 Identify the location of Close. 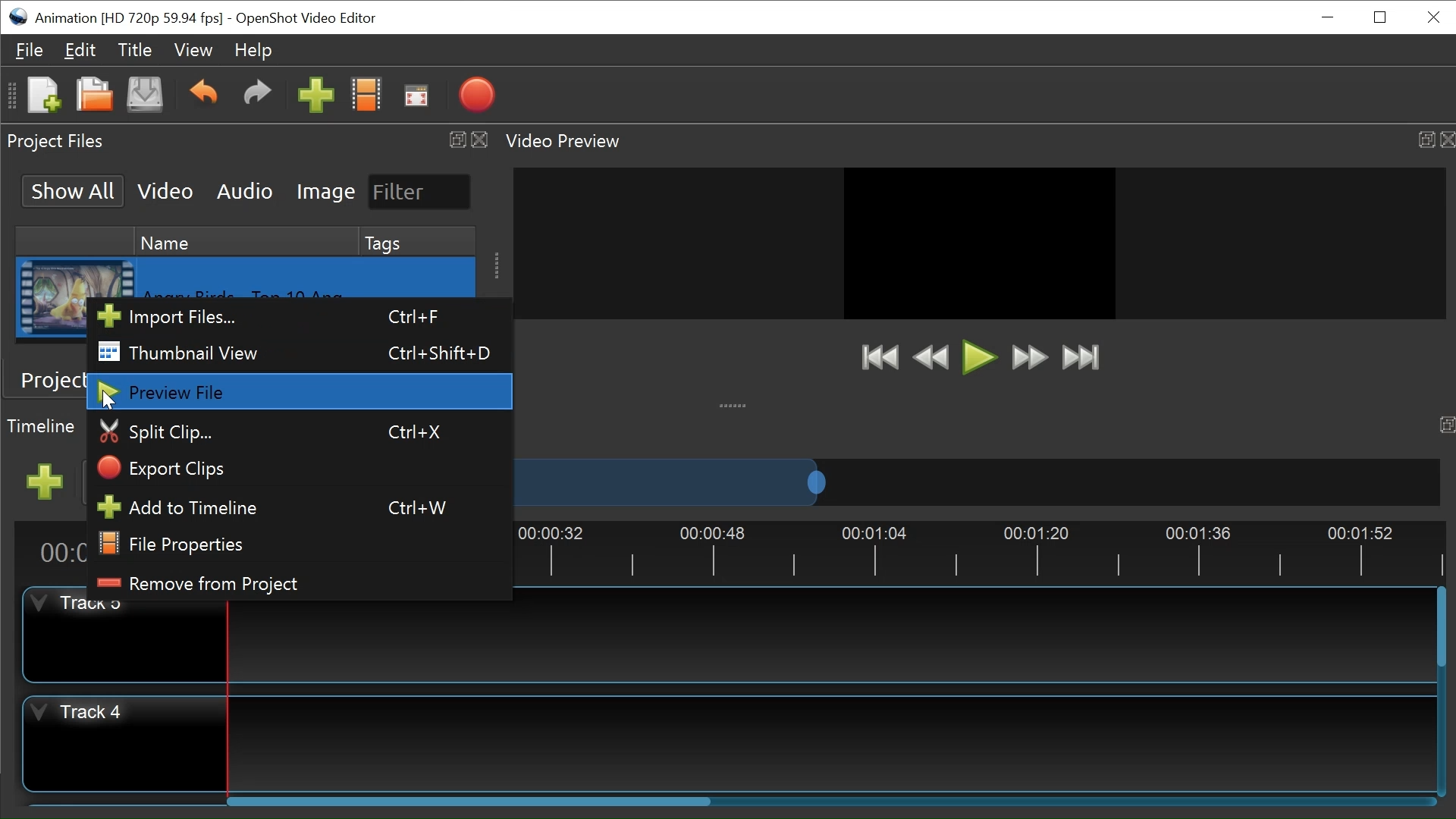
(1434, 17).